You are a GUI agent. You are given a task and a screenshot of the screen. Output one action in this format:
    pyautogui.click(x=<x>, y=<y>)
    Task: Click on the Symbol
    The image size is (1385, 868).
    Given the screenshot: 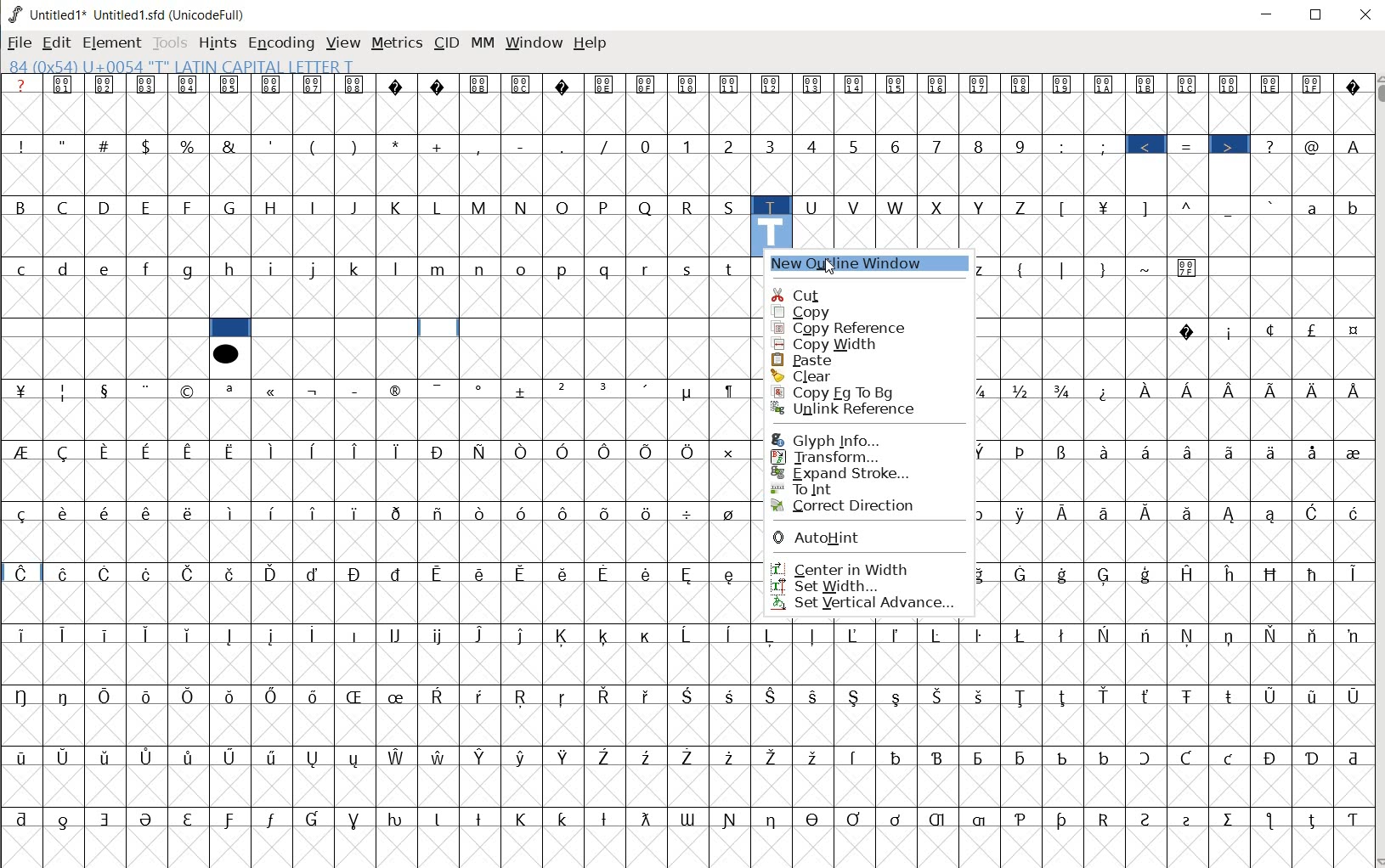 What is the action you would take?
    pyautogui.click(x=147, y=819)
    